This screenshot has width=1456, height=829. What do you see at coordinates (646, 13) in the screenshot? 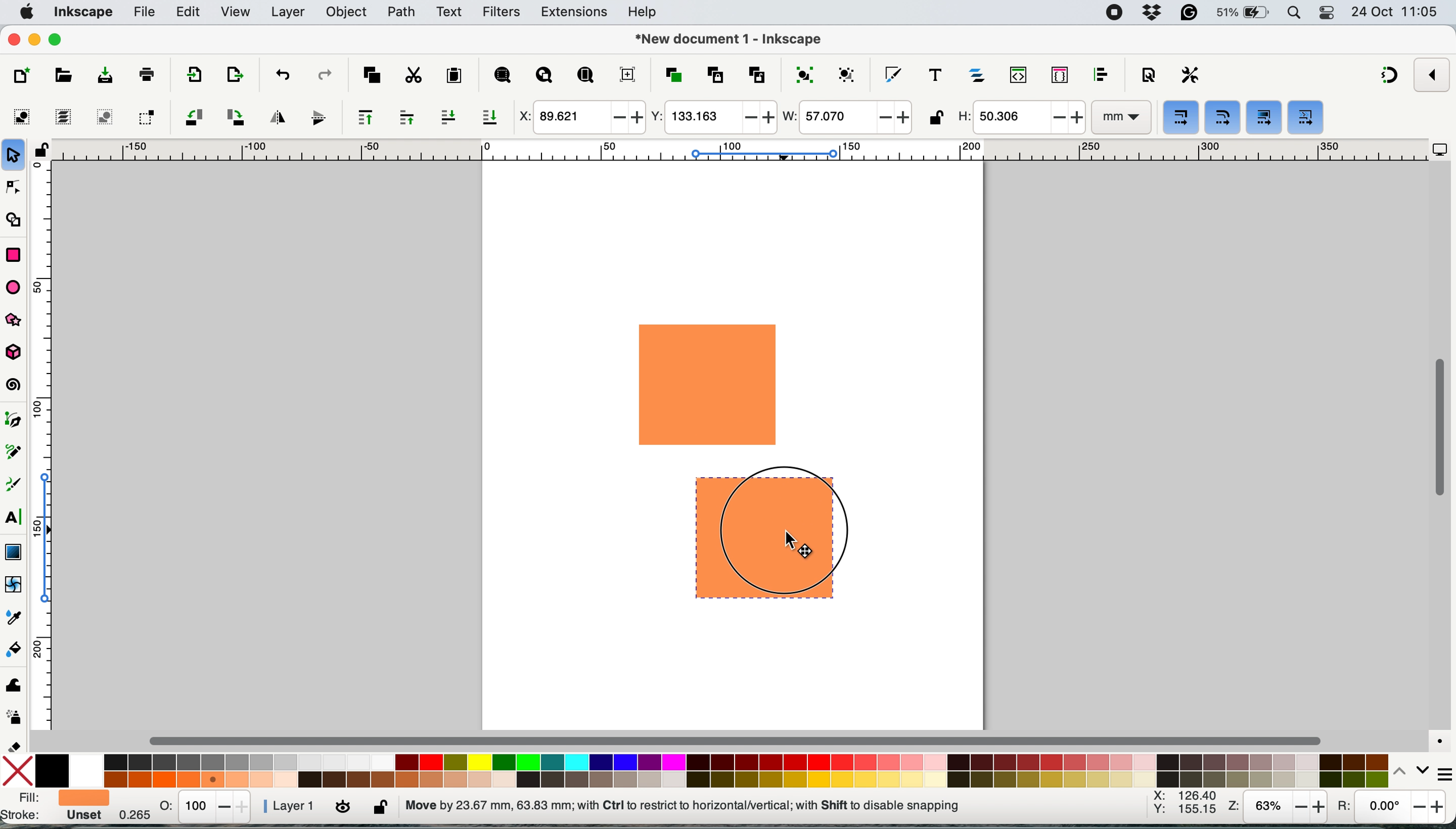
I see `help` at bounding box center [646, 13].